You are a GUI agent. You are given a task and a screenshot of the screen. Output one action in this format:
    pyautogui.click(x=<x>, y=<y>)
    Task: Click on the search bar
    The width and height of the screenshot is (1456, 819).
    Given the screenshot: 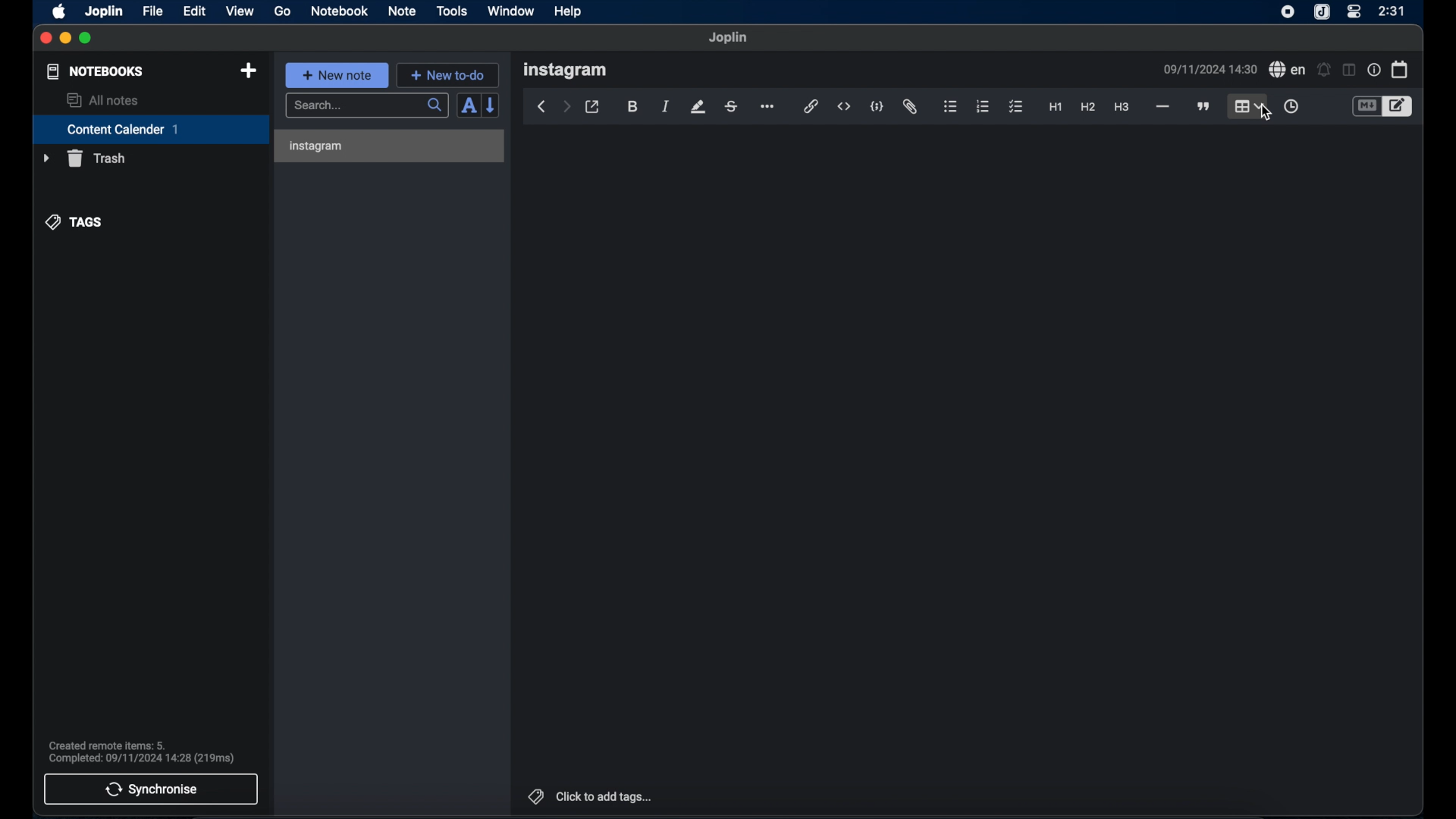 What is the action you would take?
    pyautogui.click(x=368, y=106)
    